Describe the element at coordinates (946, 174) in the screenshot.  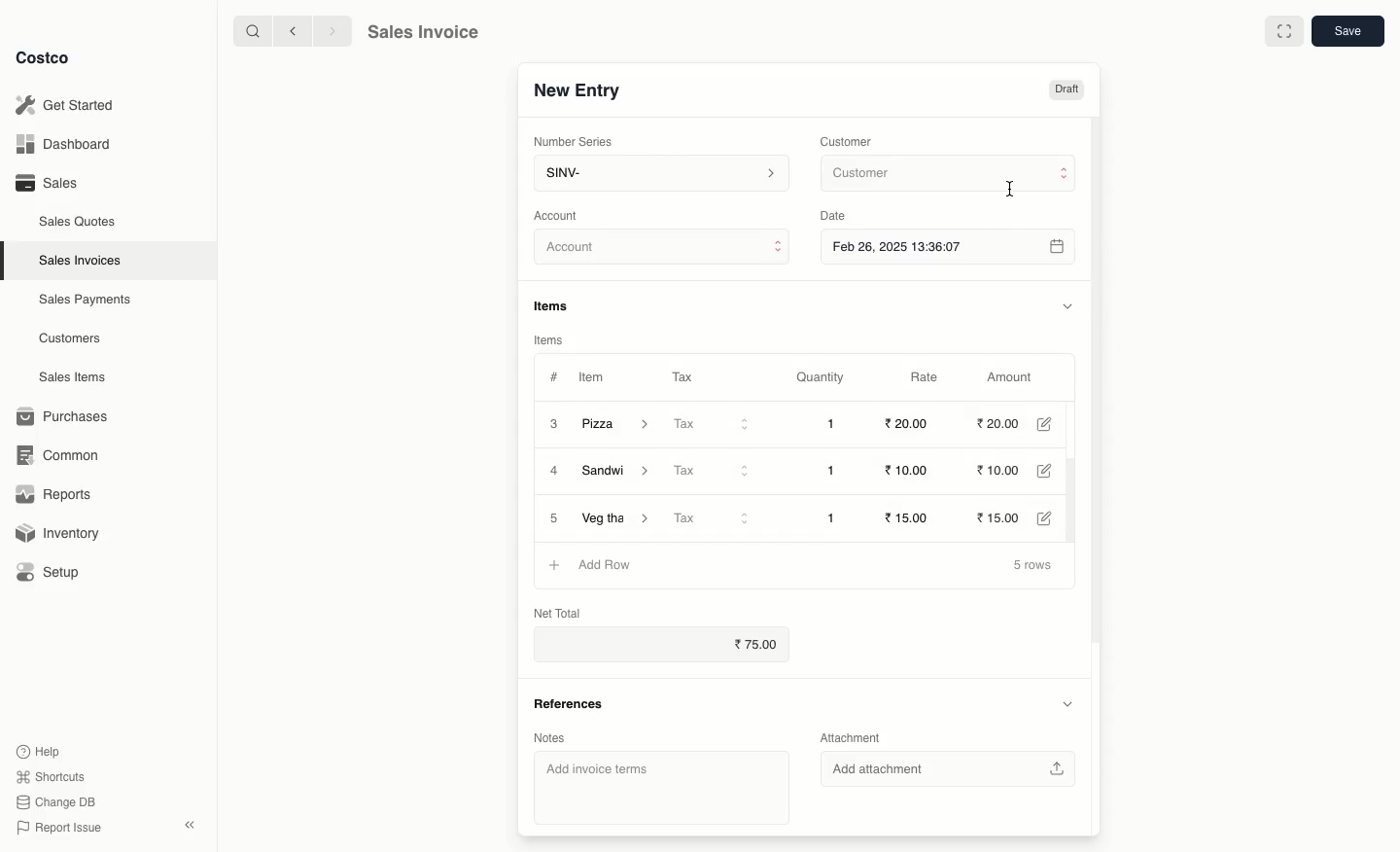
I see `Customer` at that location.